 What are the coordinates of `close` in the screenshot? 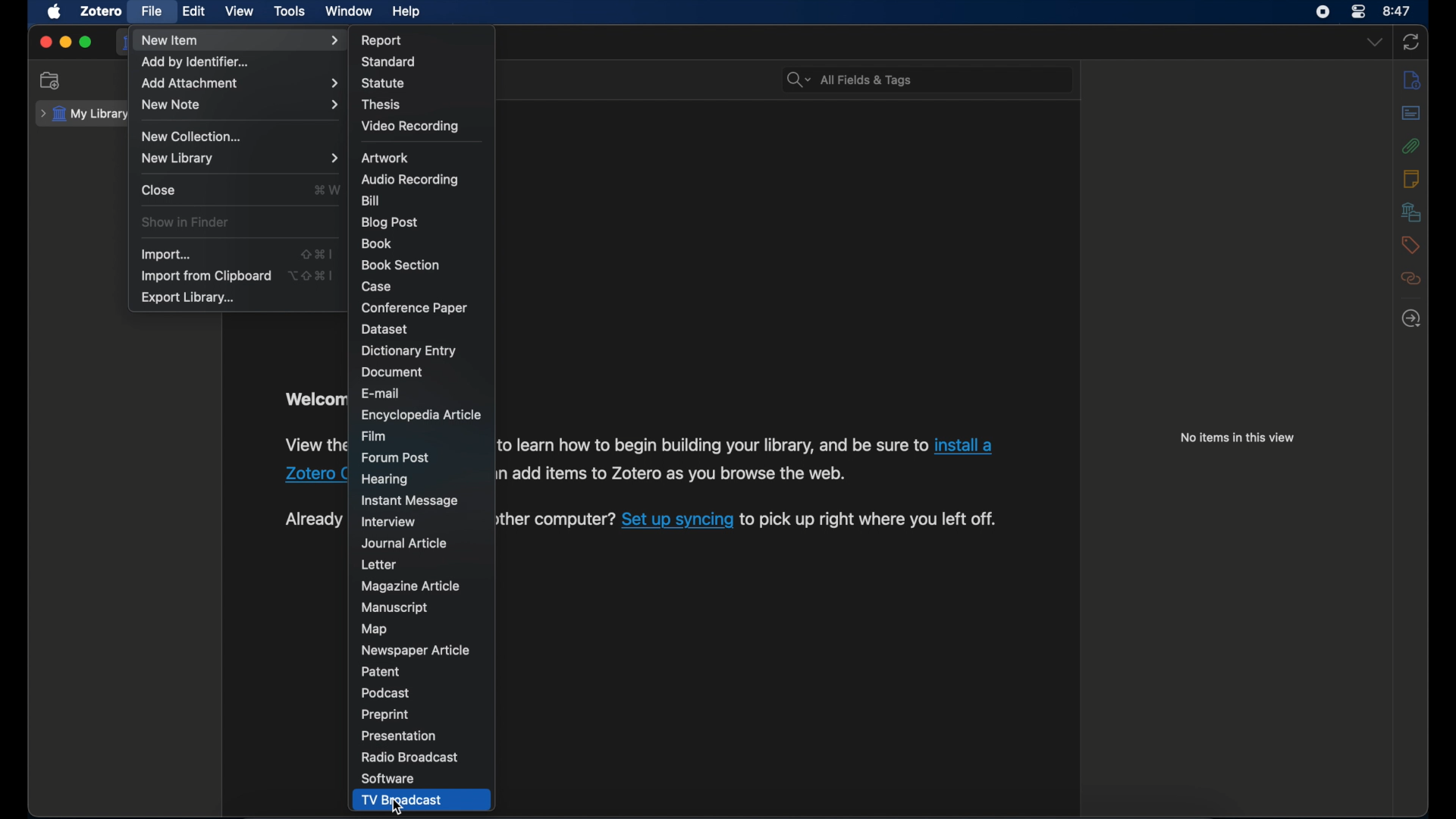 It's located at (158, 190).